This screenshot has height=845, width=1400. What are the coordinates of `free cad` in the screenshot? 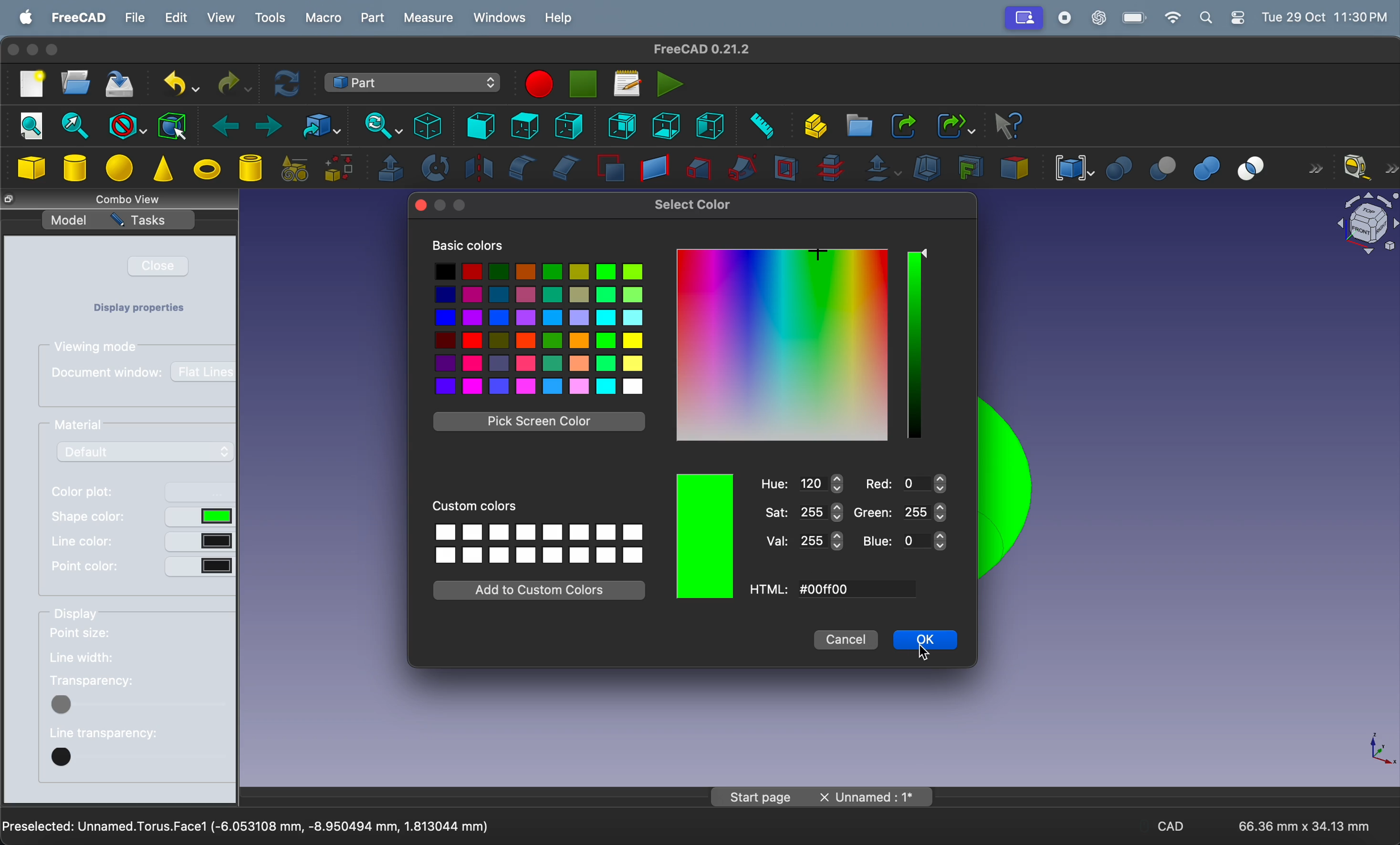 It's located at (79, 19).